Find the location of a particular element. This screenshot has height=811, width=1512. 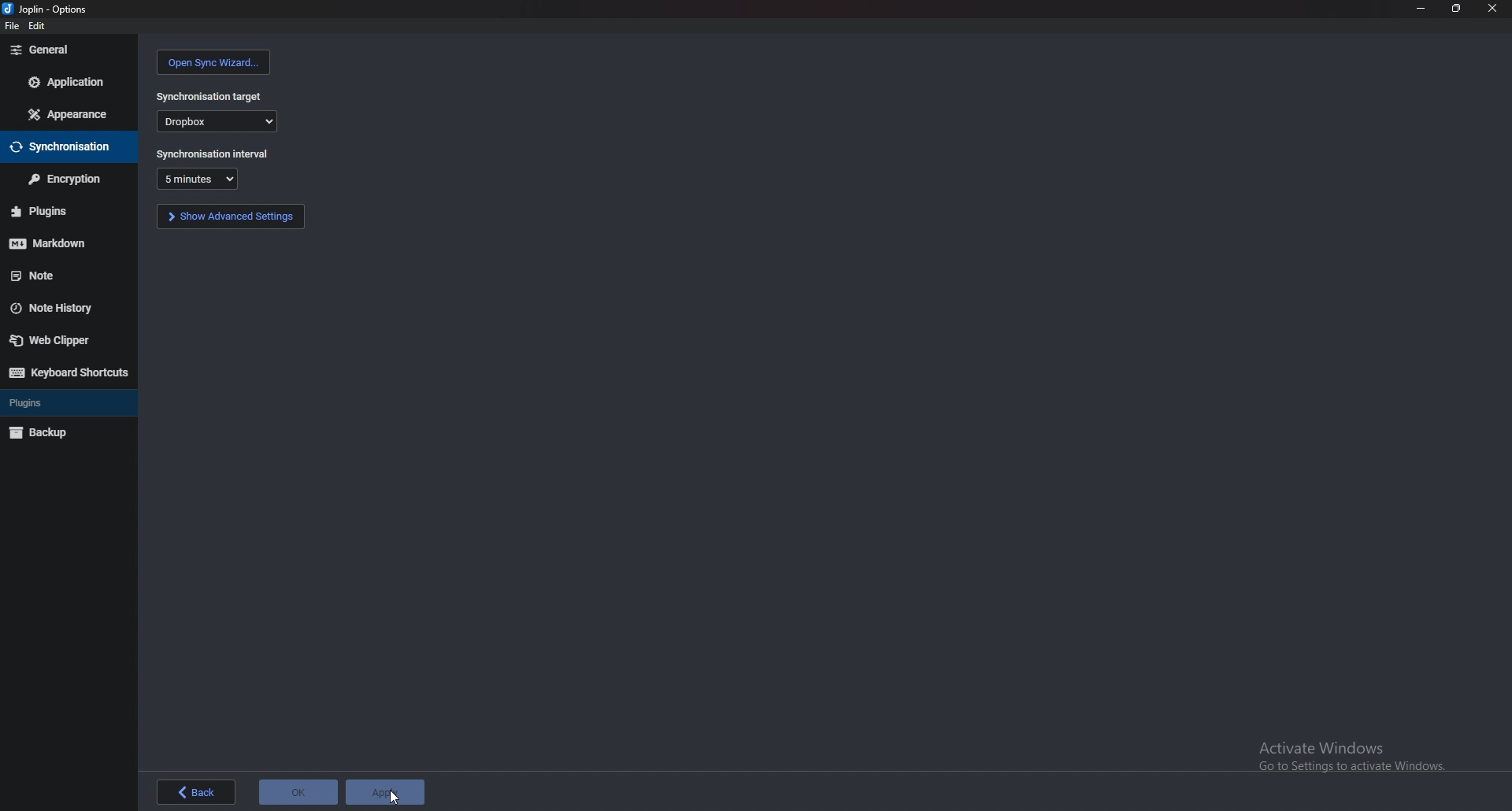

note is located at coordinates (65, 273).